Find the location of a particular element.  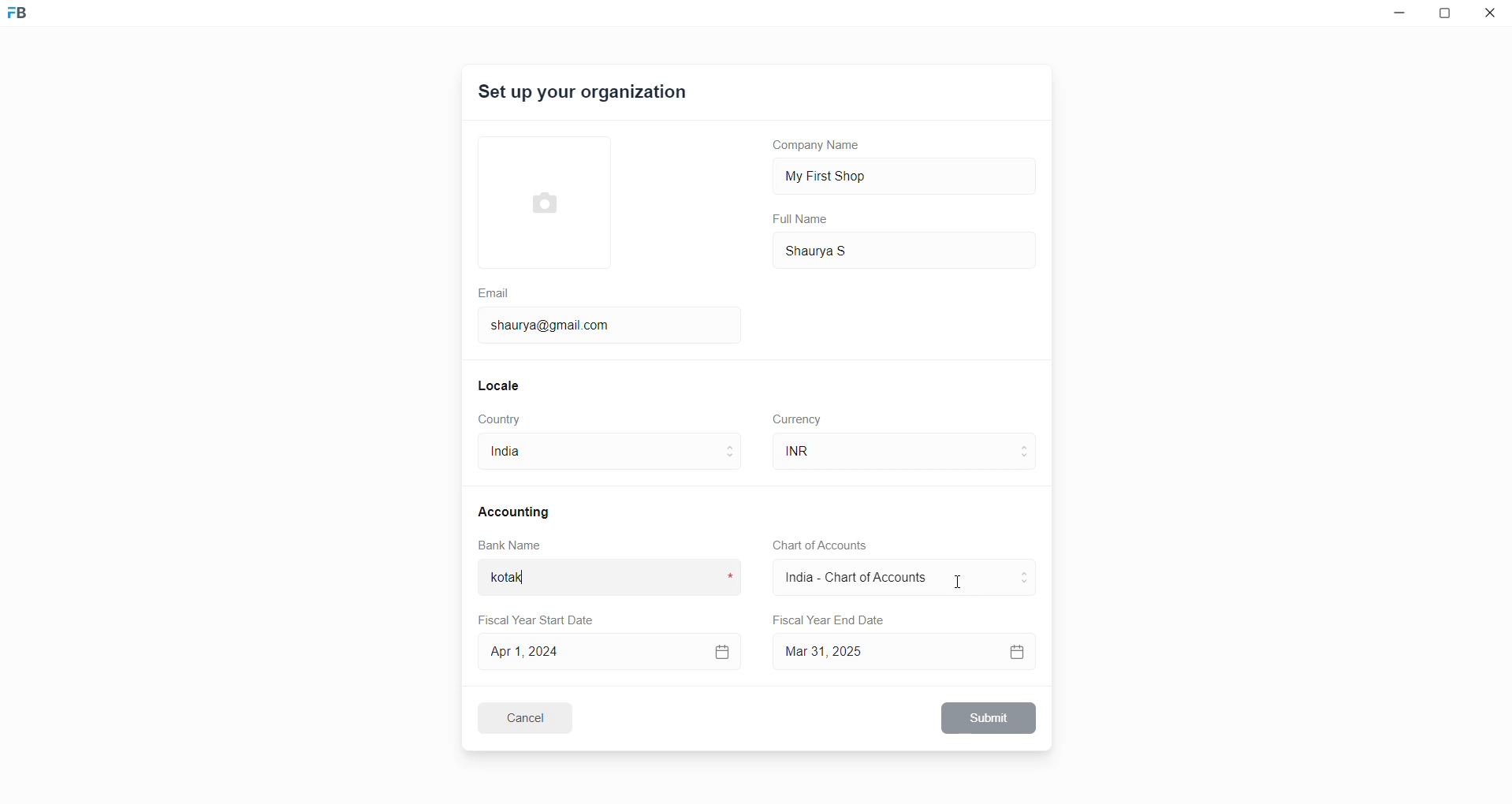

resize  is located at coordinates (1449, 16).